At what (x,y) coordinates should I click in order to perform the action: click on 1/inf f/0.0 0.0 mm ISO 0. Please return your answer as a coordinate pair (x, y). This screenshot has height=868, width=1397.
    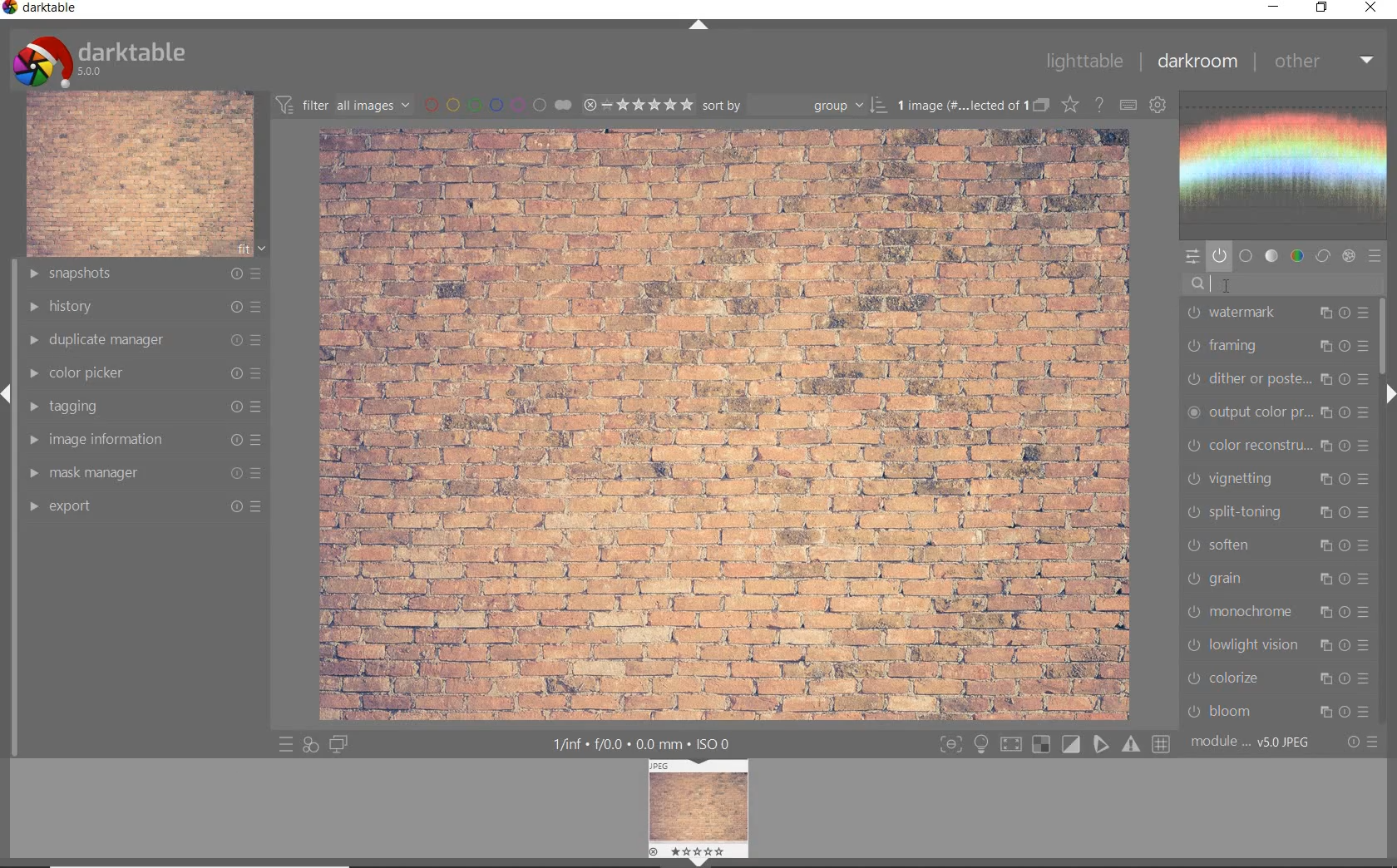
    Looking at the image, I should click on (642, 743).